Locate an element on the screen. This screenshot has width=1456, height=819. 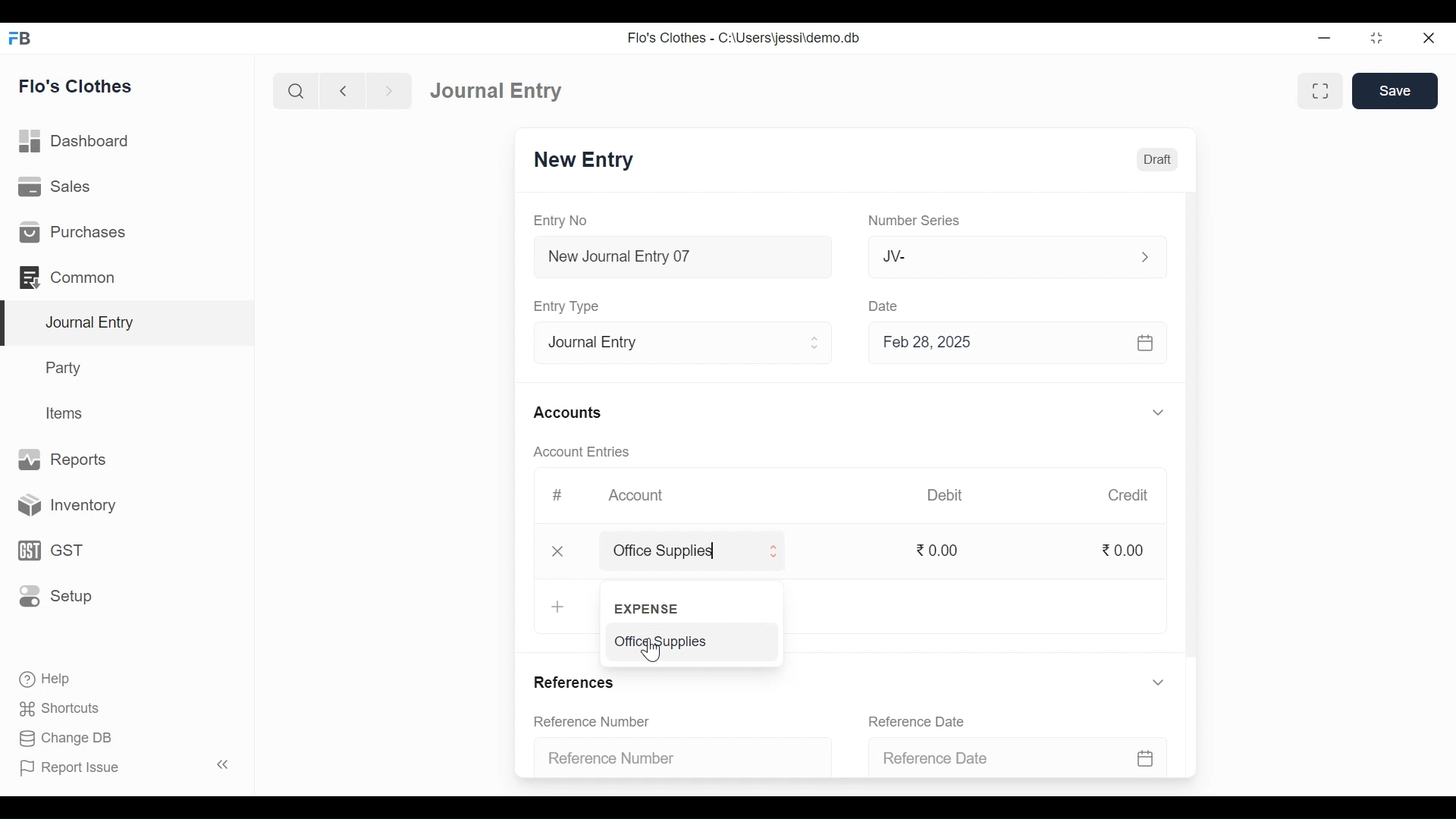
Items is located at coordinates (67, 413).